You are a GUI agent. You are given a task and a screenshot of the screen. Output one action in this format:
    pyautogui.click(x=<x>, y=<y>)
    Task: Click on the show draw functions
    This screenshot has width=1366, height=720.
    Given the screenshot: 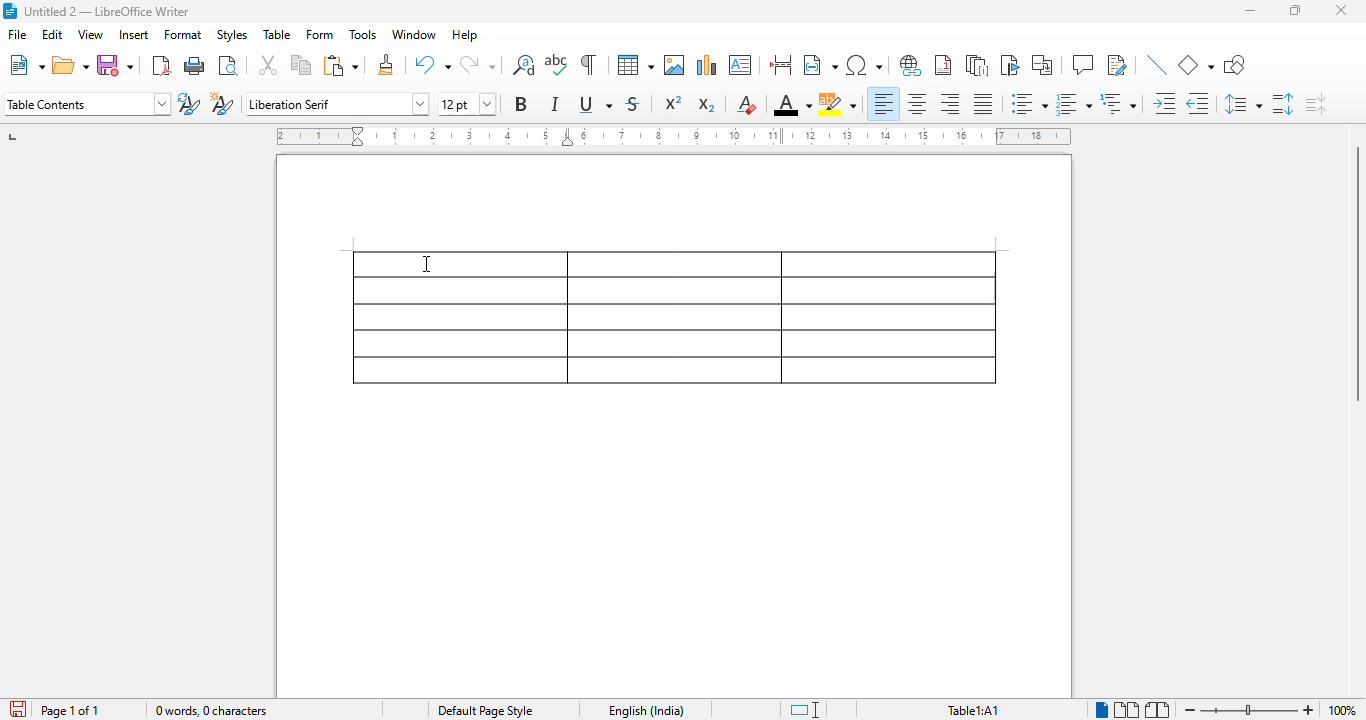 What is the action you would take?
    pyautogui.click(x=1235, y=64)
    